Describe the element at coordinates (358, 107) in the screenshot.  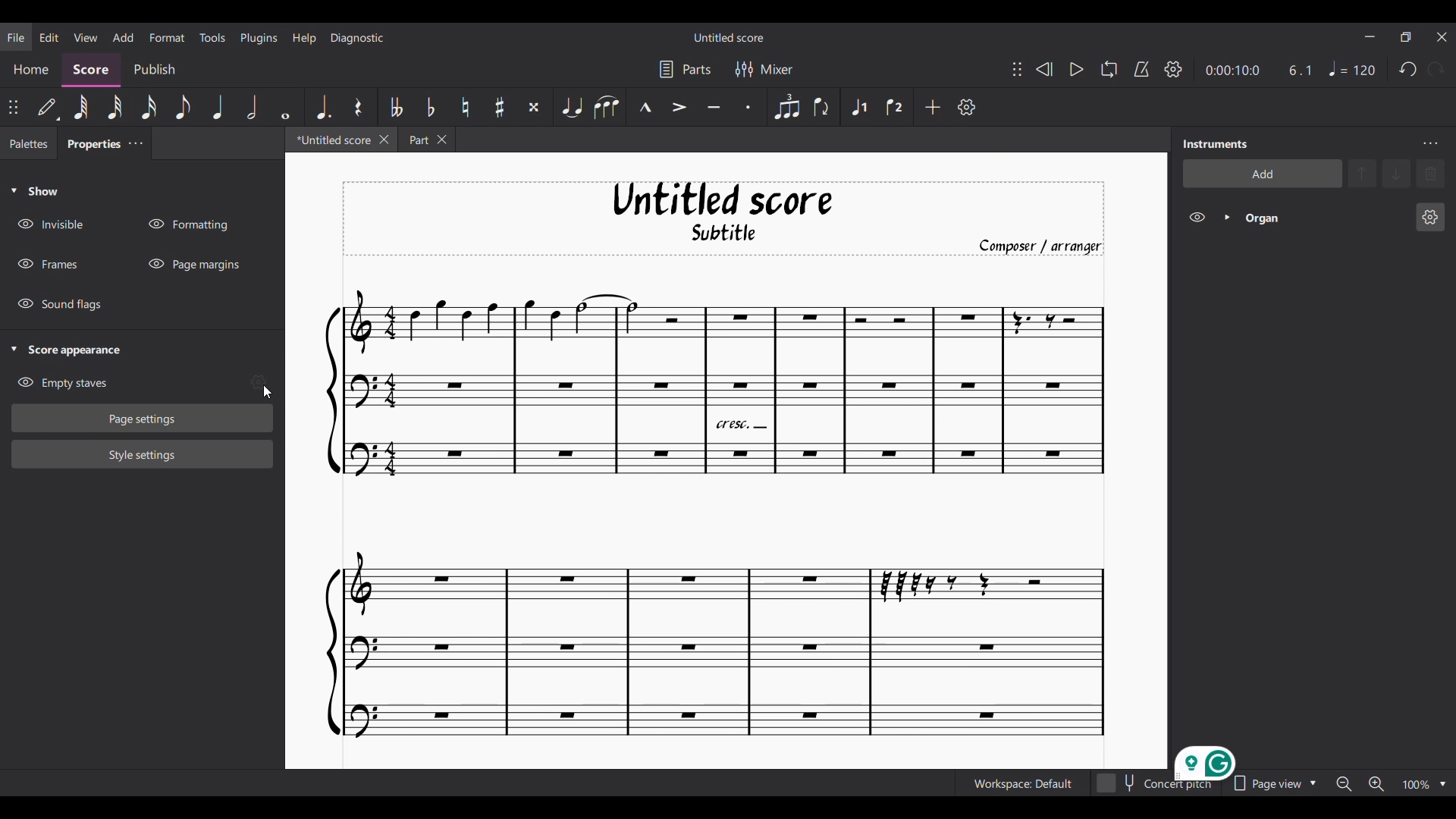
I see `Rest` at that location.